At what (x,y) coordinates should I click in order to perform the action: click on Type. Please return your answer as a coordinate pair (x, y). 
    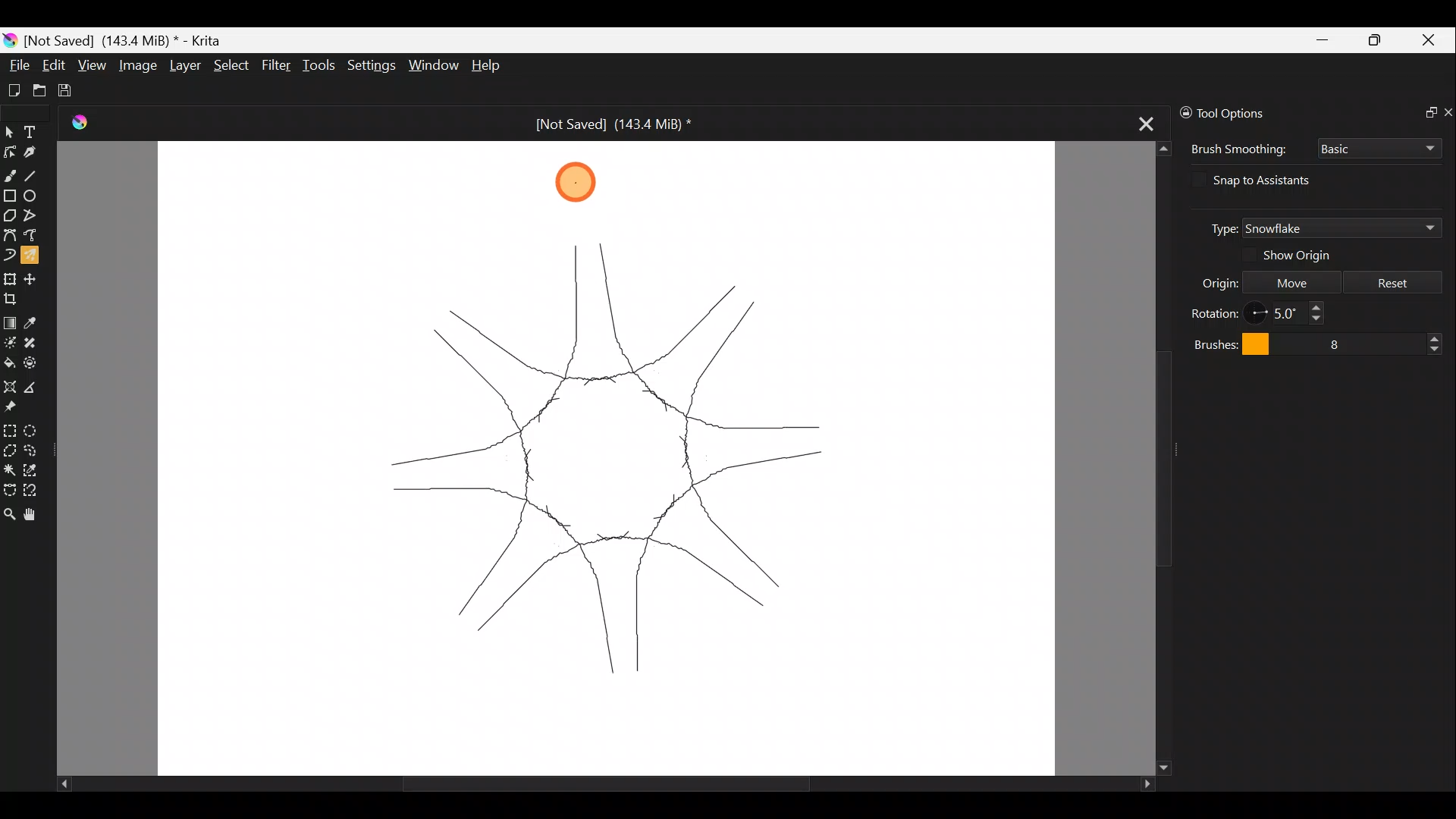
    Looking at the image, I should click on (1216, 227).